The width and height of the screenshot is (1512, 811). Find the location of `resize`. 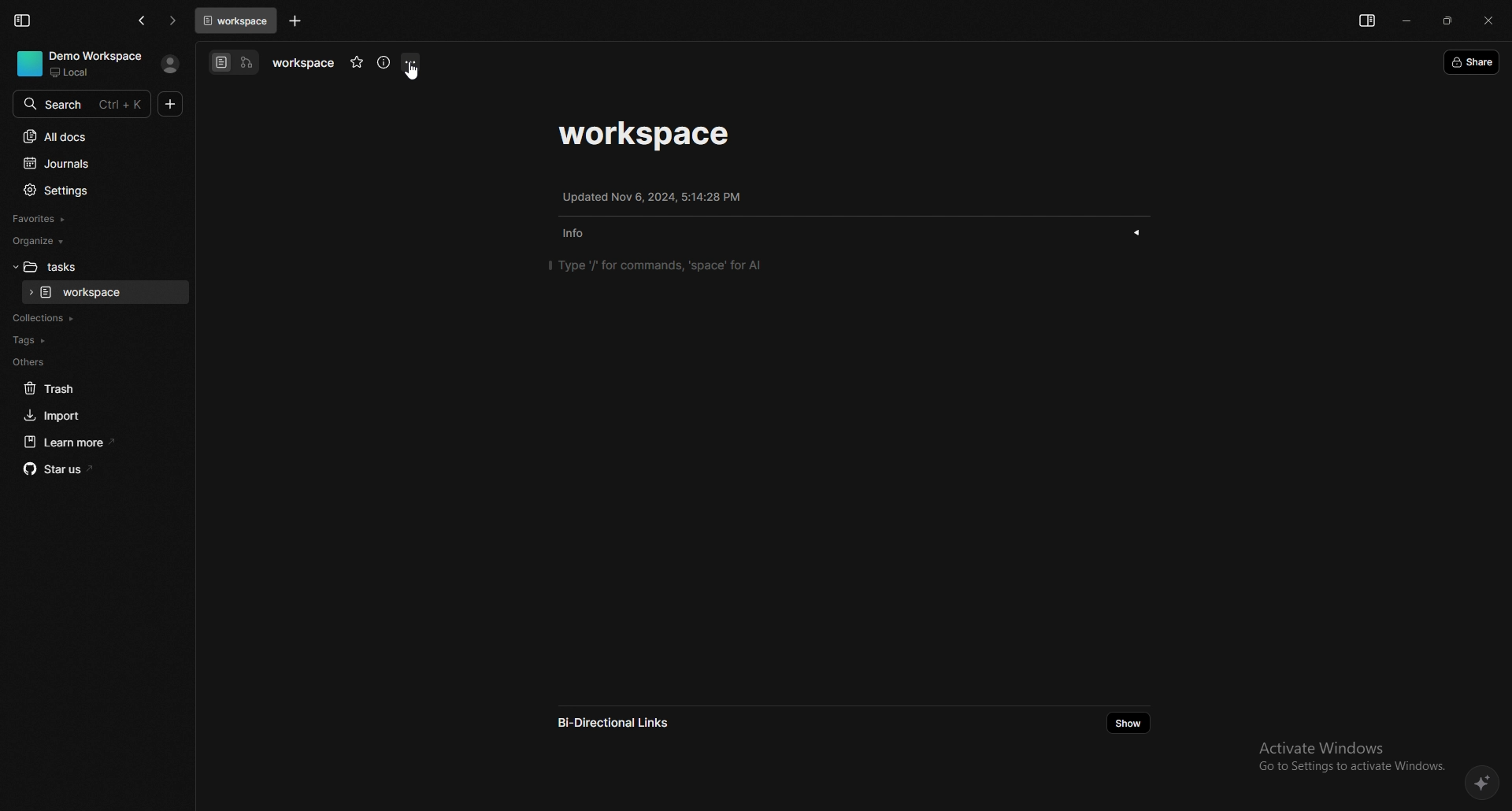

resize is located at coordinates (1448, 21).